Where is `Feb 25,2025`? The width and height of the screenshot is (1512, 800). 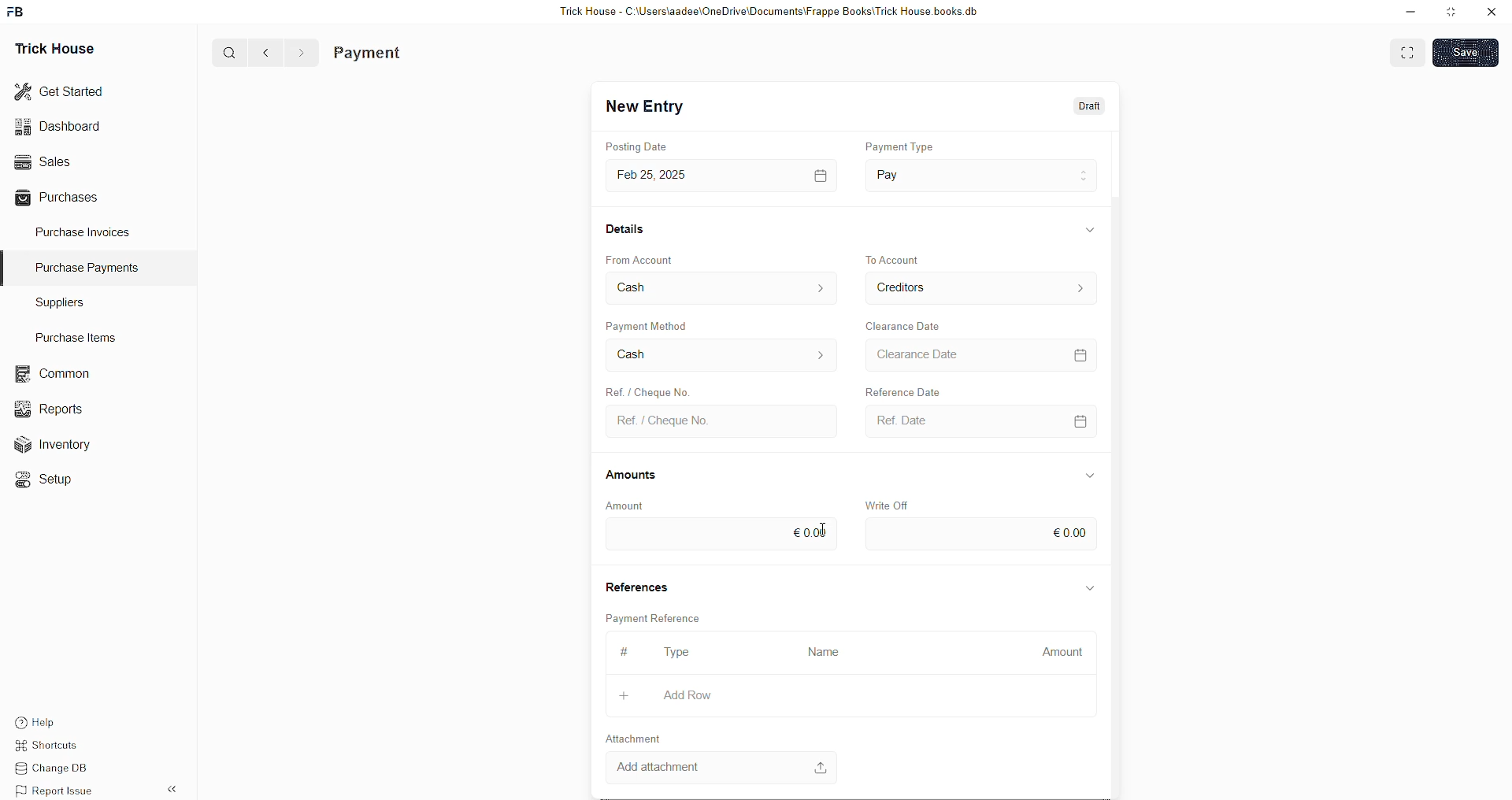 Feb 25,2025 is located at coordinates (655, 176).